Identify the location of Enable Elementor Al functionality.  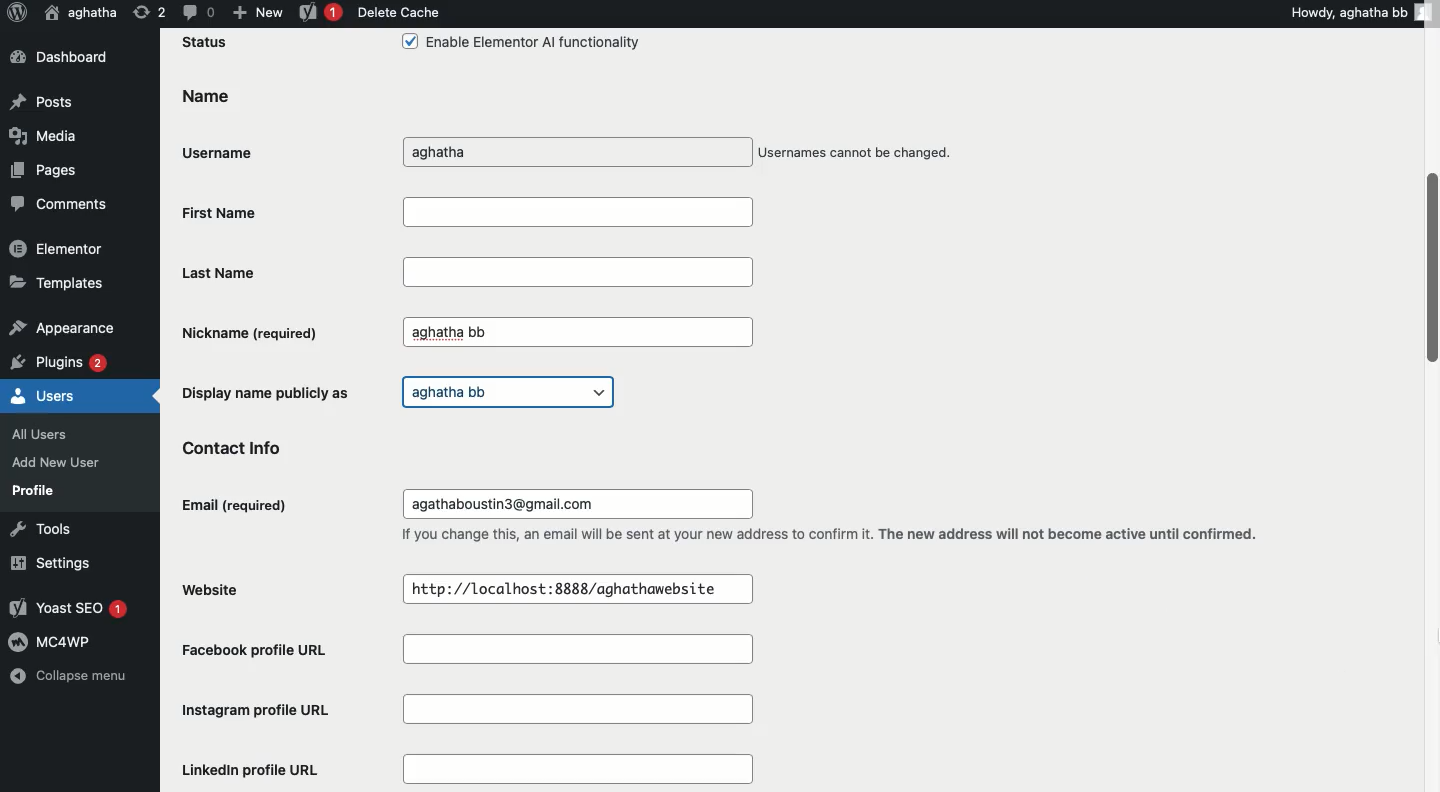
(519, 44).